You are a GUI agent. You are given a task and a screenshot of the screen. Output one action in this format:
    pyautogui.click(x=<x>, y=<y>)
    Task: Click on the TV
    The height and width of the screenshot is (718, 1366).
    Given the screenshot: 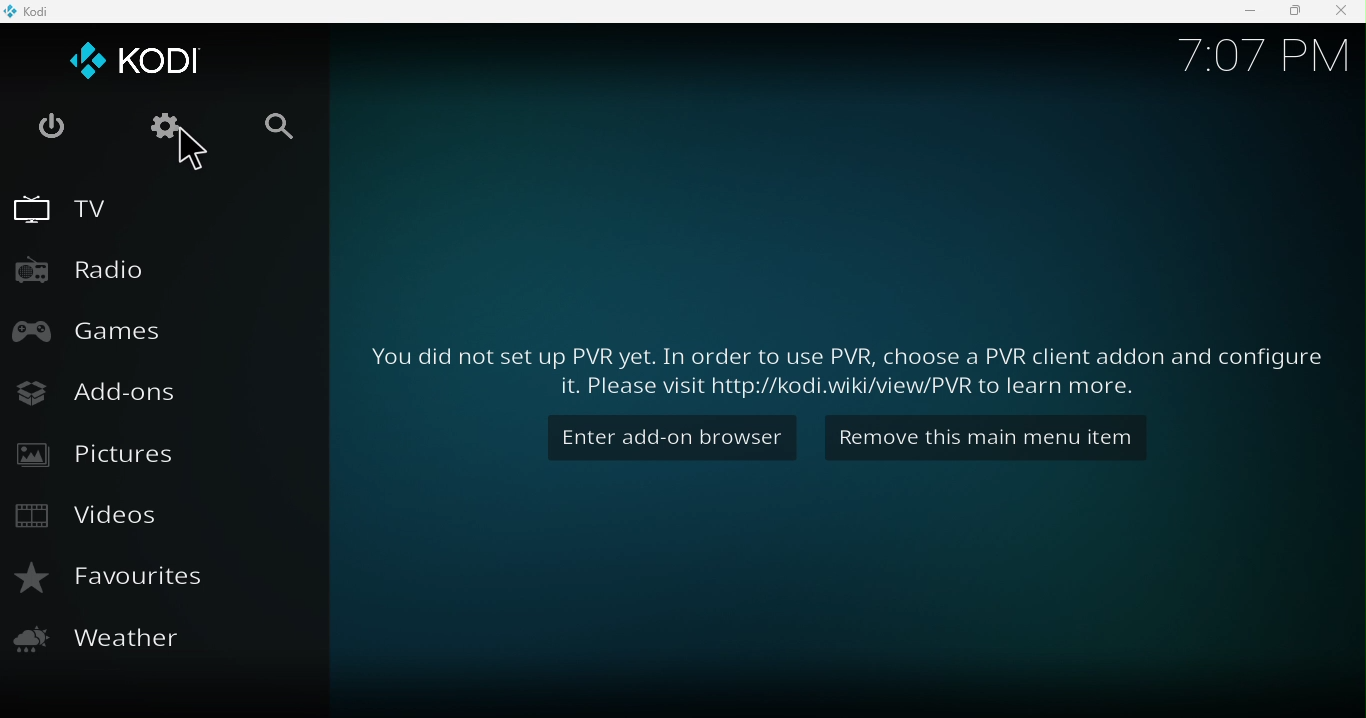 What is the action you would take?
    pyautogui.click(x=62, y=206)
    